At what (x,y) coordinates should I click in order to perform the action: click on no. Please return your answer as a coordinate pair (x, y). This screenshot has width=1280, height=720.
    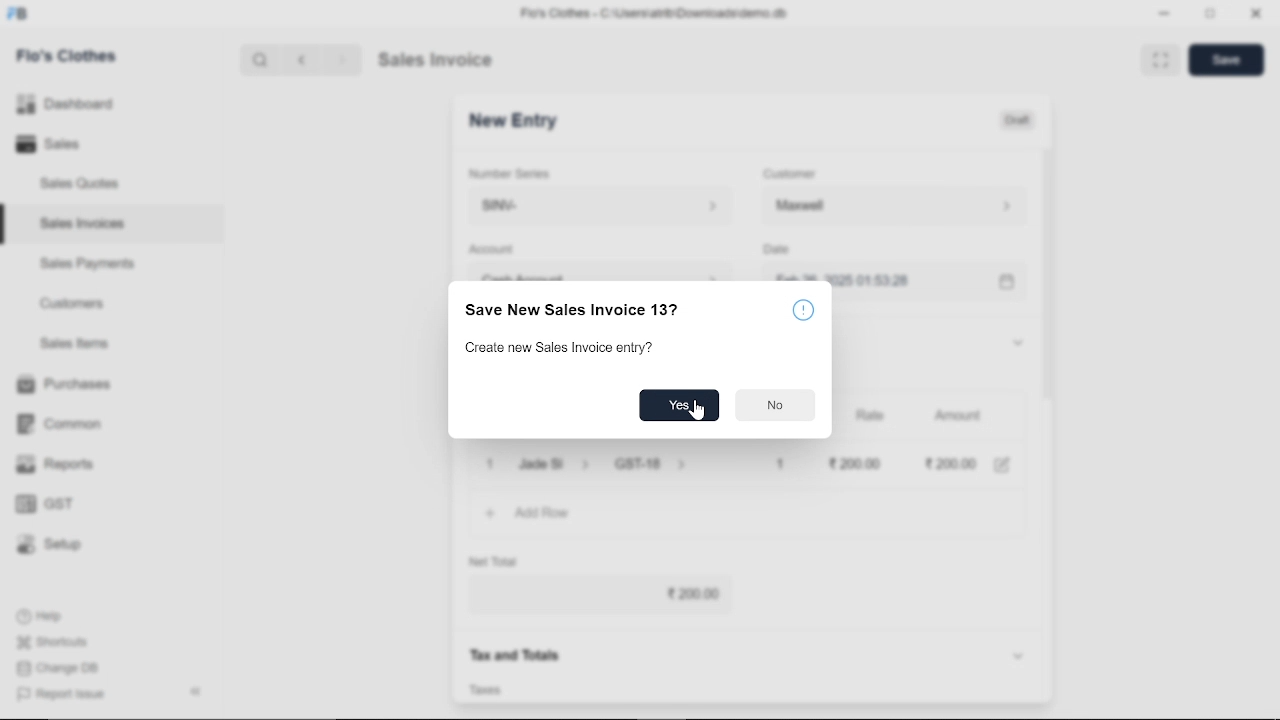
    Looking at the image, I should click on (773, 407).